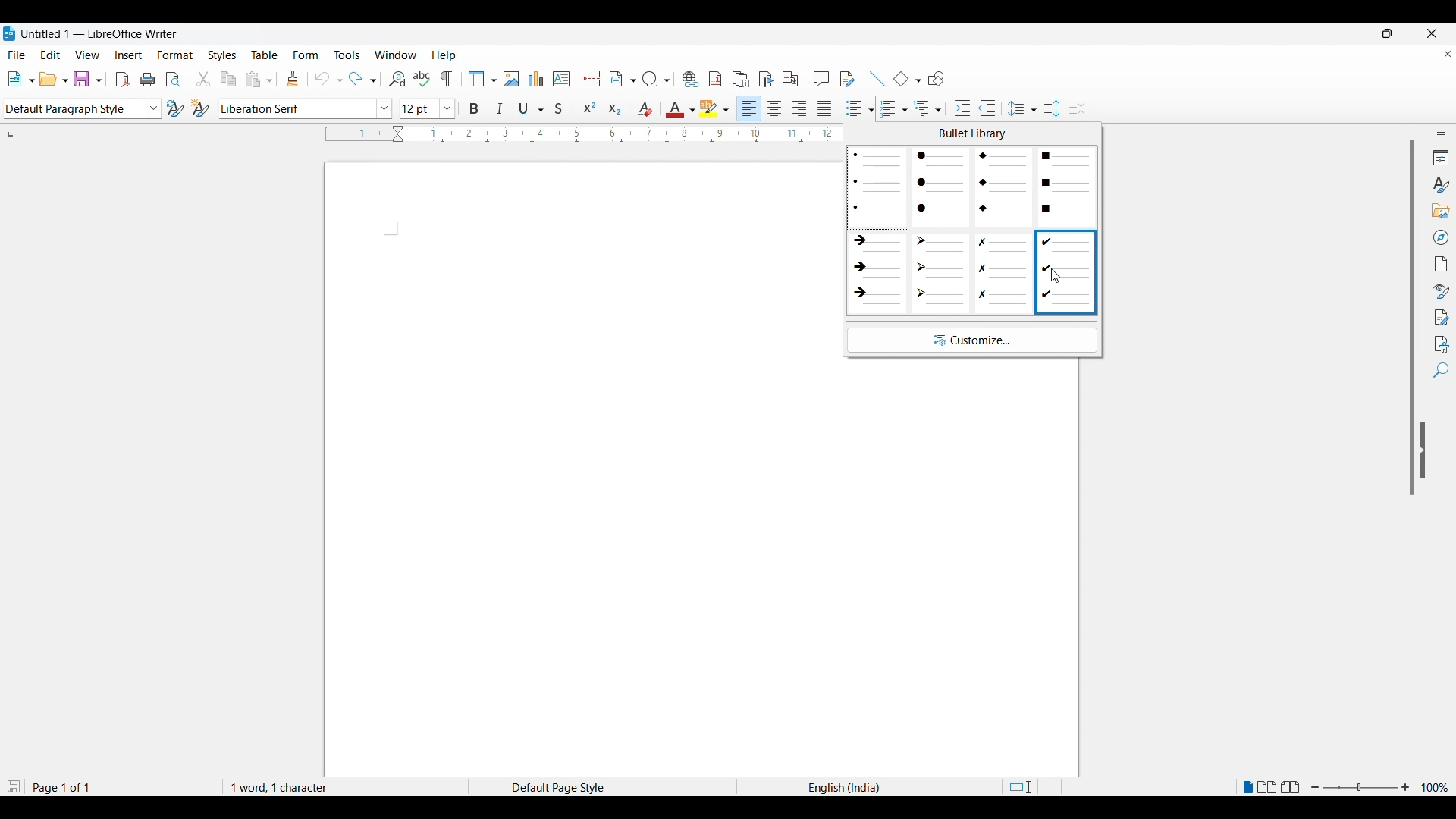 Image resolution: width=1456 pixels, height=819 pixels. I want to click on add basic shapes, so click(906, 78).